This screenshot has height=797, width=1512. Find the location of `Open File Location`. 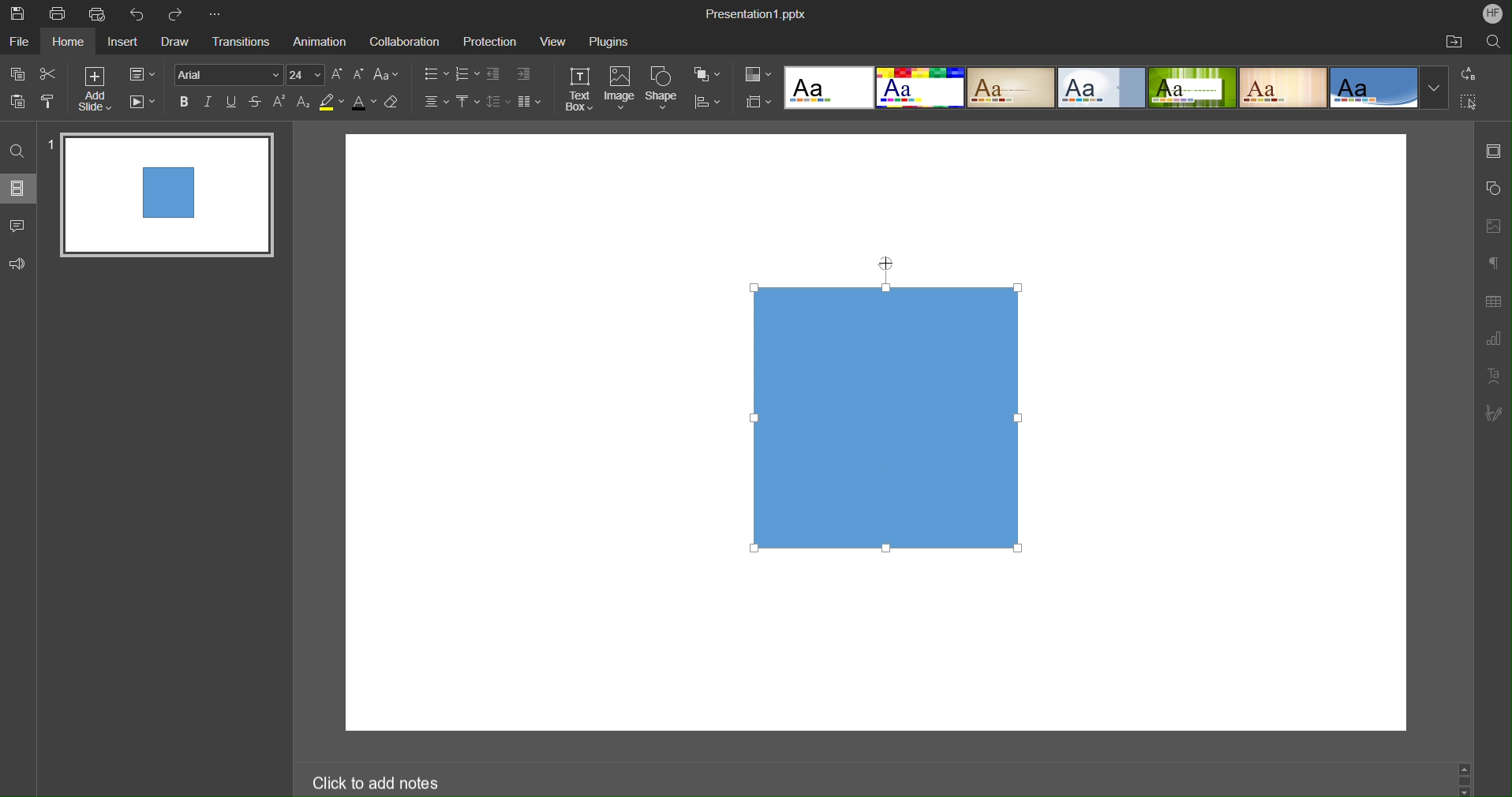

Open File Location is located at coordinates (1449, 41).